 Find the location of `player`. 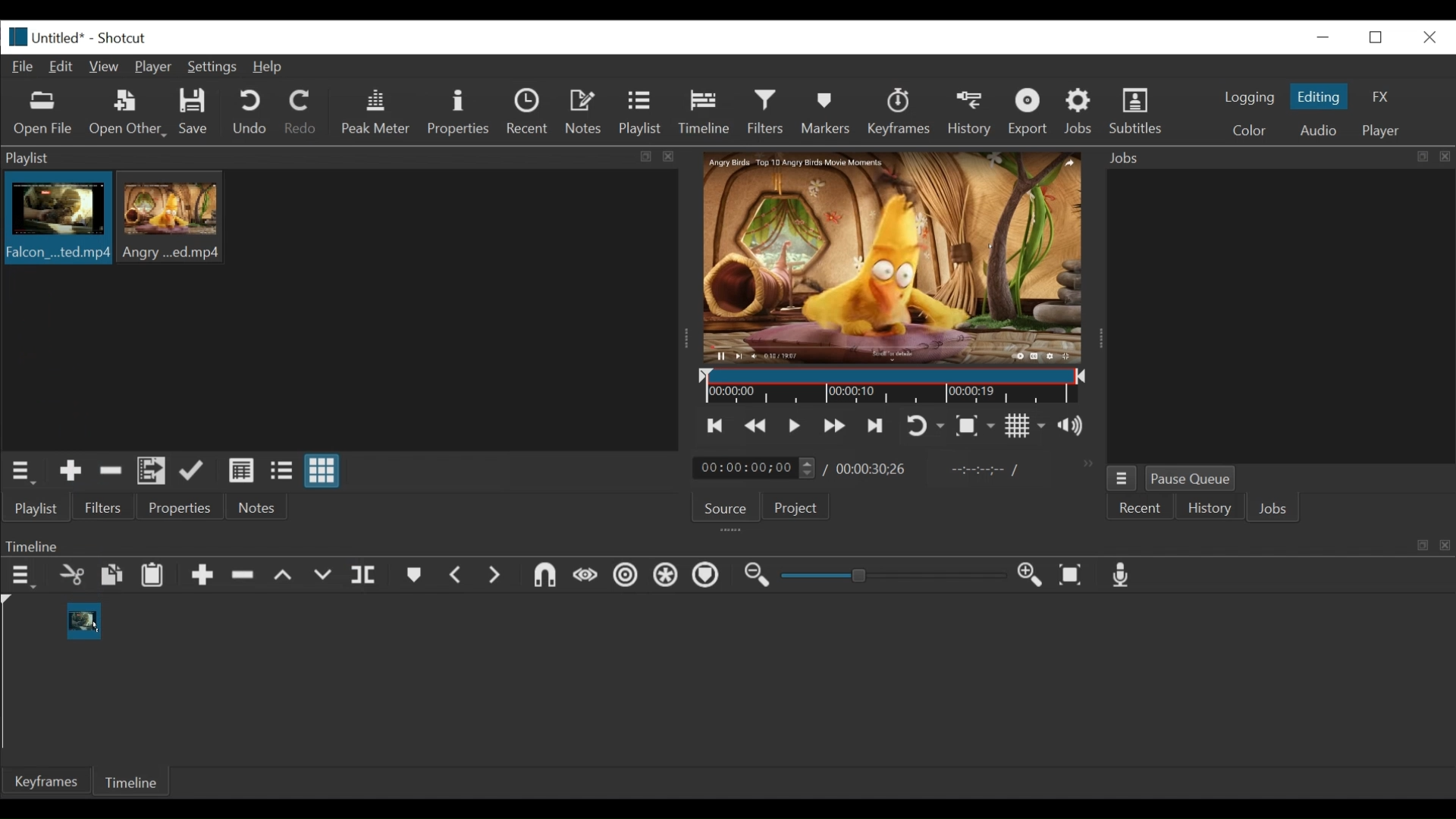

player is located at coordinates (1382, 131).